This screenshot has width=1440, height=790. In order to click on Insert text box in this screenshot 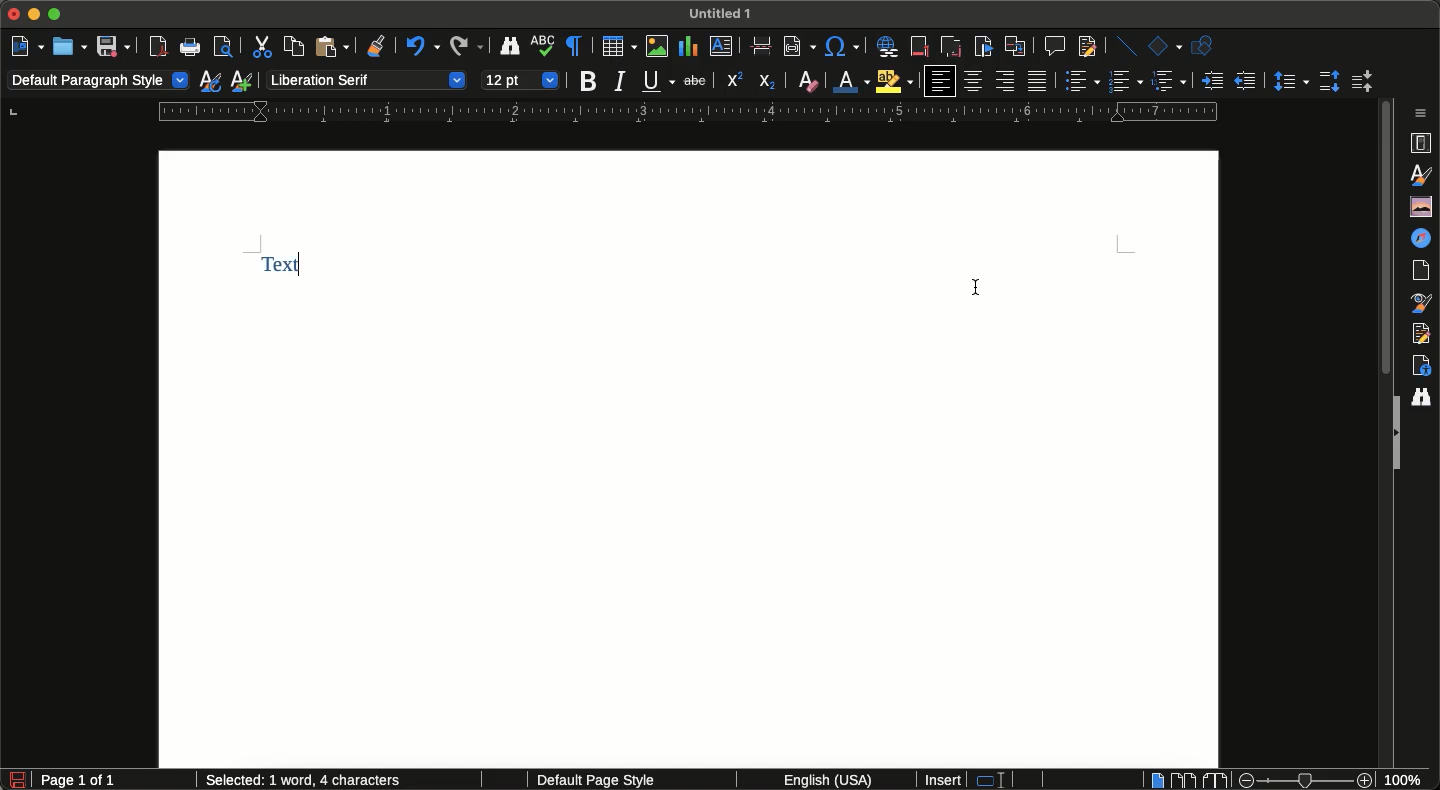, I will do `click(726, 49)`.